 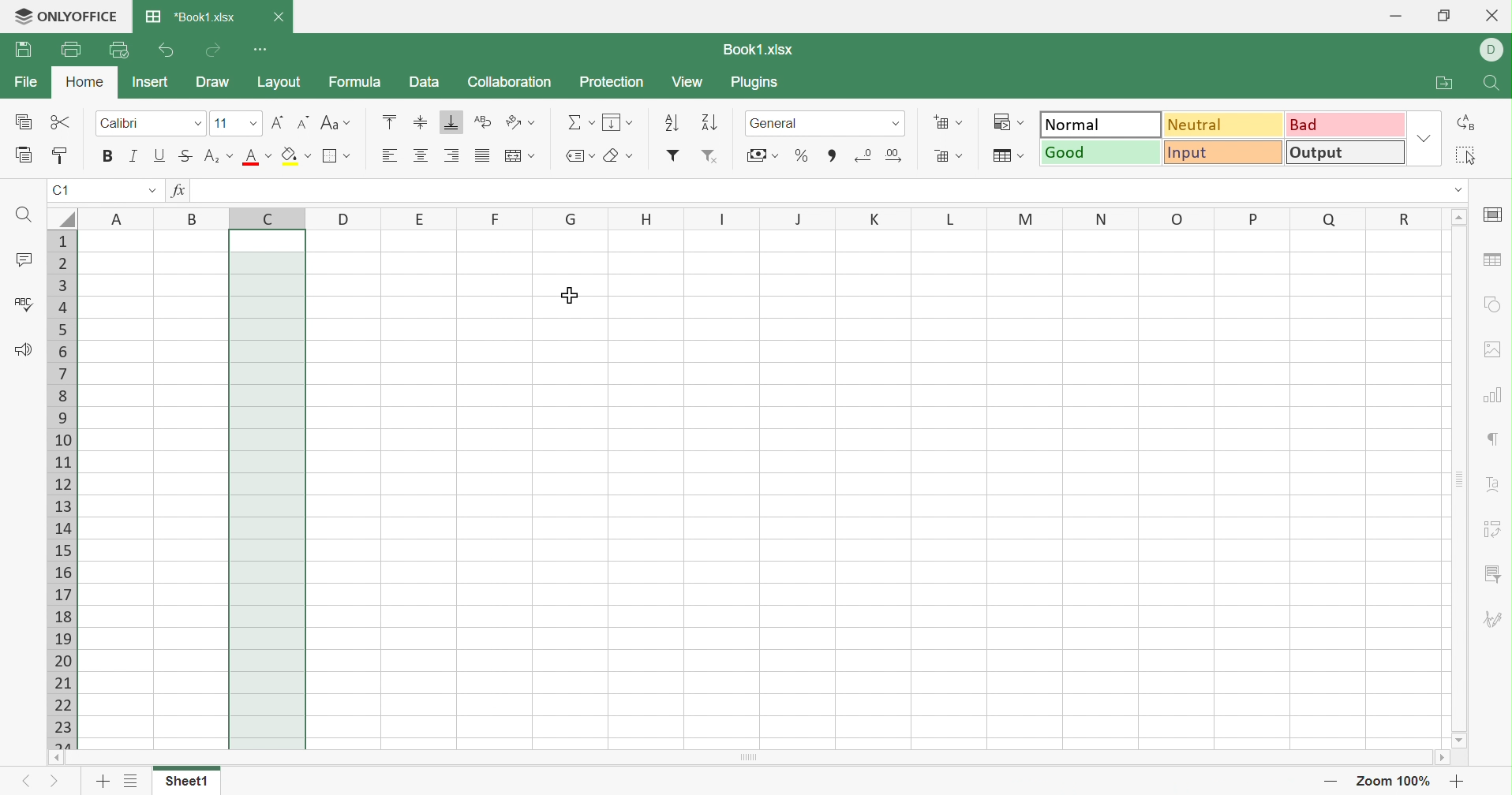 What do you see at coordinates (100, 782) in the screenshot?
I see `Add Sheet` at bounding box center [100, 782].